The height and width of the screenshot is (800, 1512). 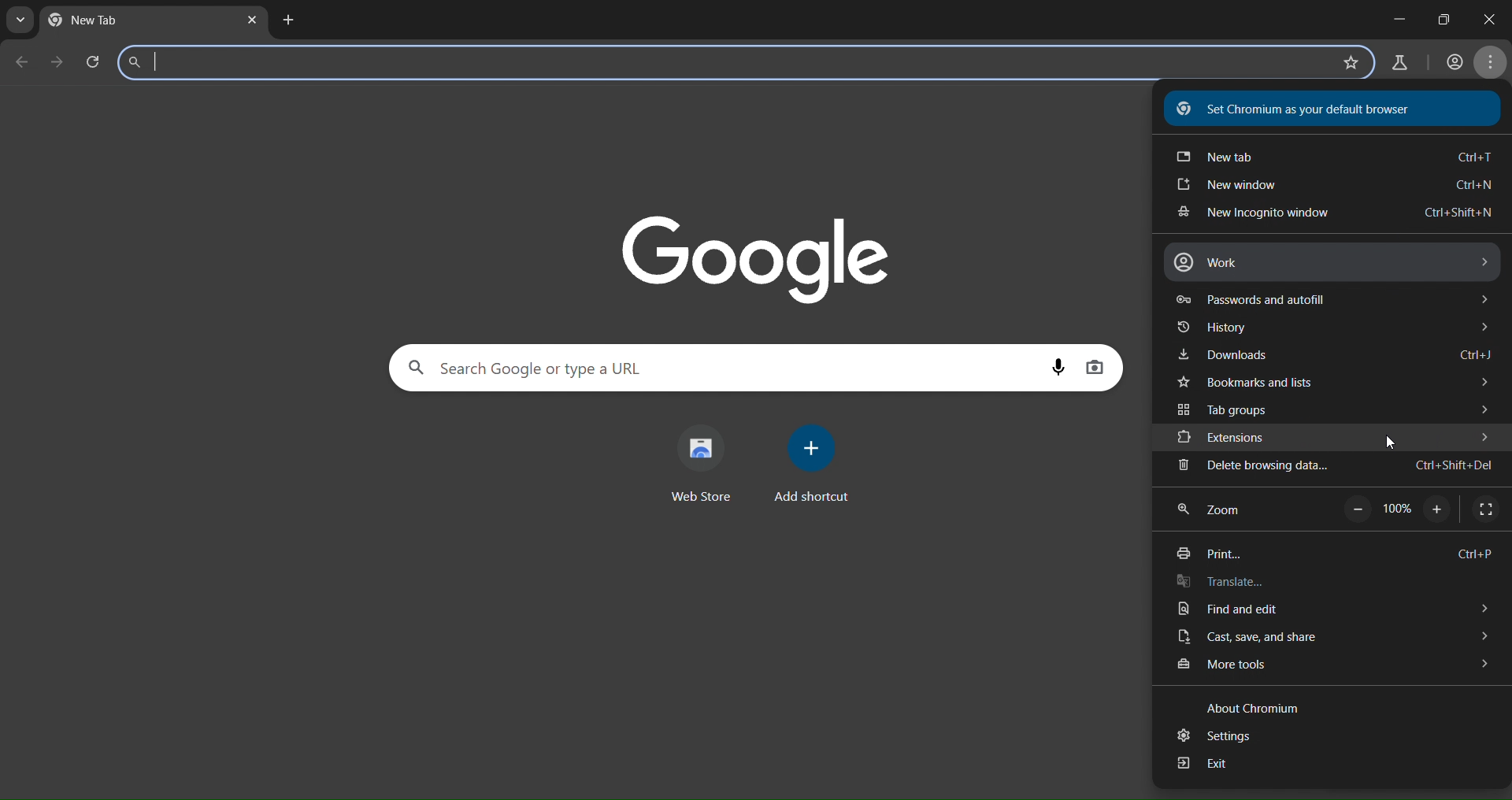 What do you see at coordinates (1337, 467) in the screenshot?
I see `delete browsing data.` at bounding box center [1337, 467].